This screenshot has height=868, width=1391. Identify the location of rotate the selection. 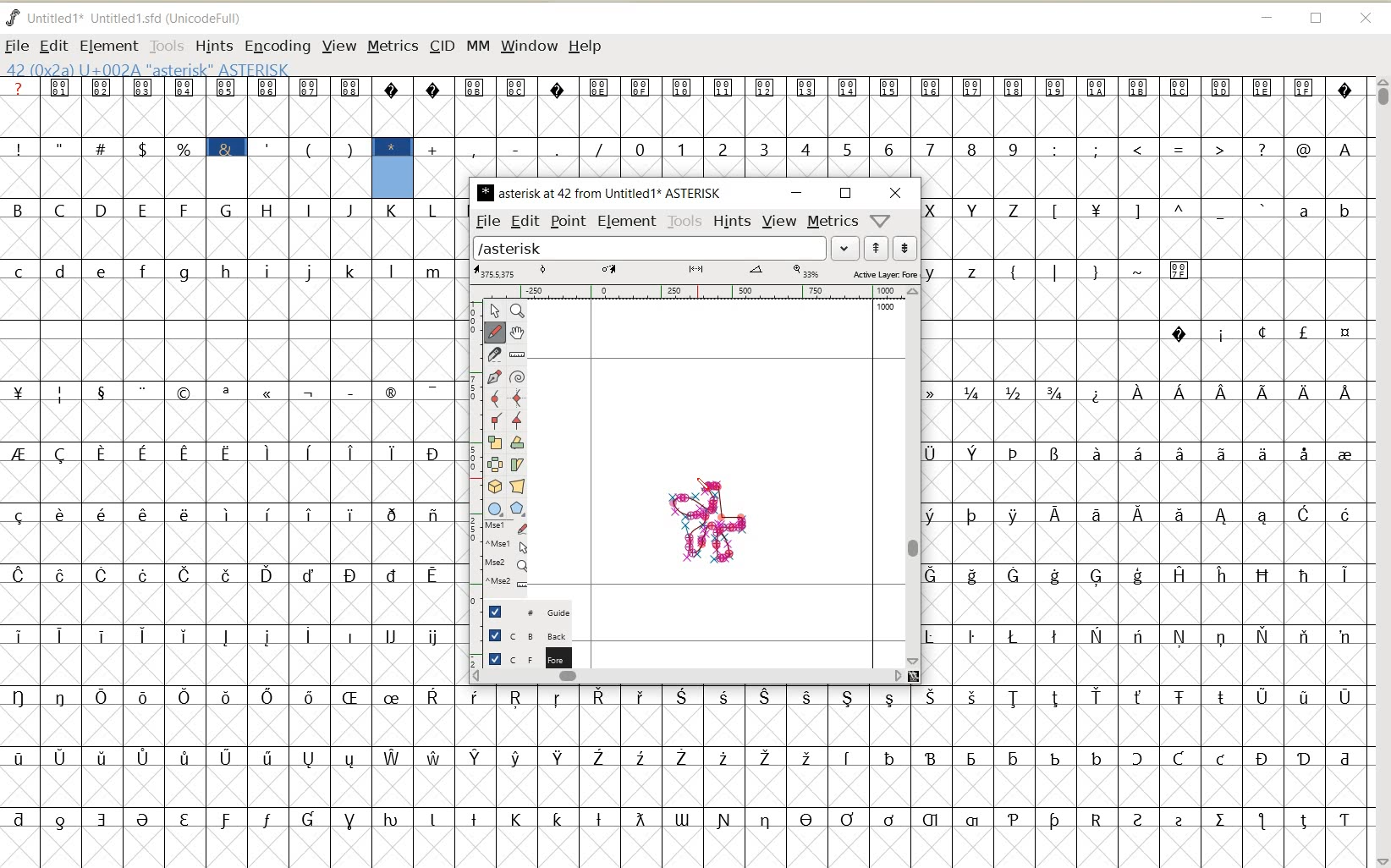
(517, 444).